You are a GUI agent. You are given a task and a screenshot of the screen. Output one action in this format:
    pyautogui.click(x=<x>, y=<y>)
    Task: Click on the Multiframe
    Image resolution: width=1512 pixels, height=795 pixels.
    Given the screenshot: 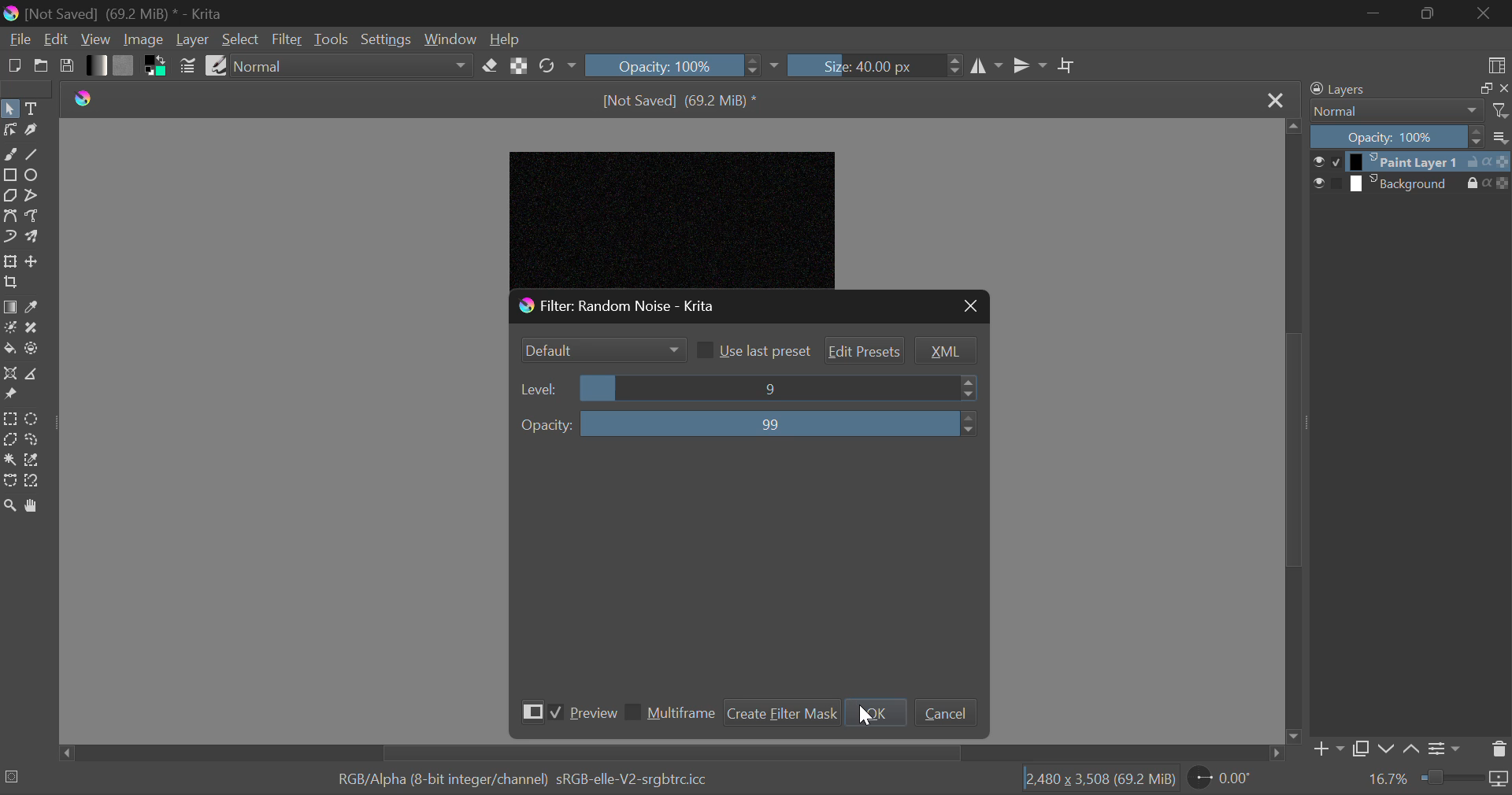 What is the action you would take?
    pyautogui.click(x=670, y=715)
    